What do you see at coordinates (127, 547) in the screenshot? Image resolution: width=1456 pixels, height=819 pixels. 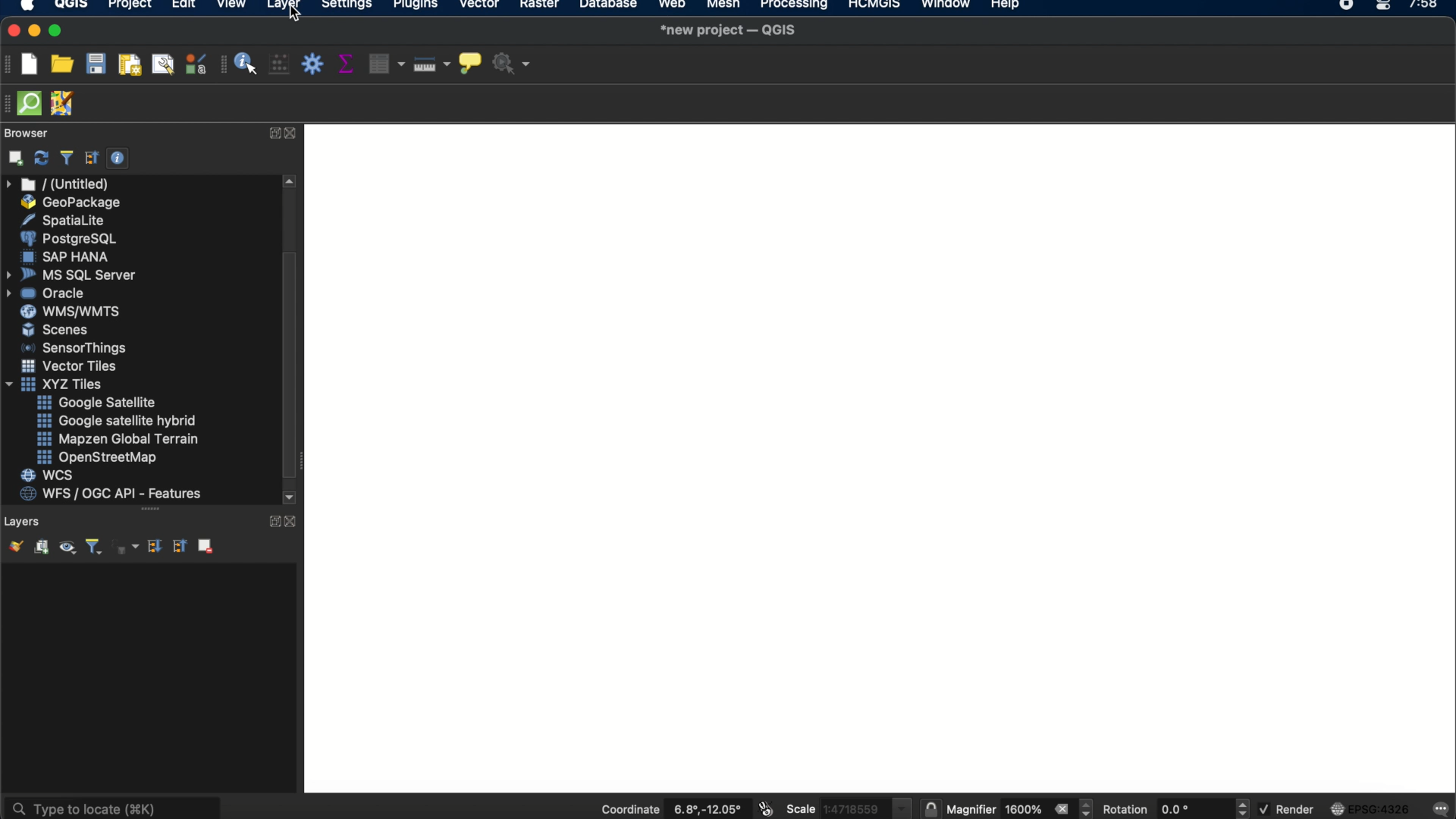 I see `filter legend by expression` at bounding box center [127, 547].